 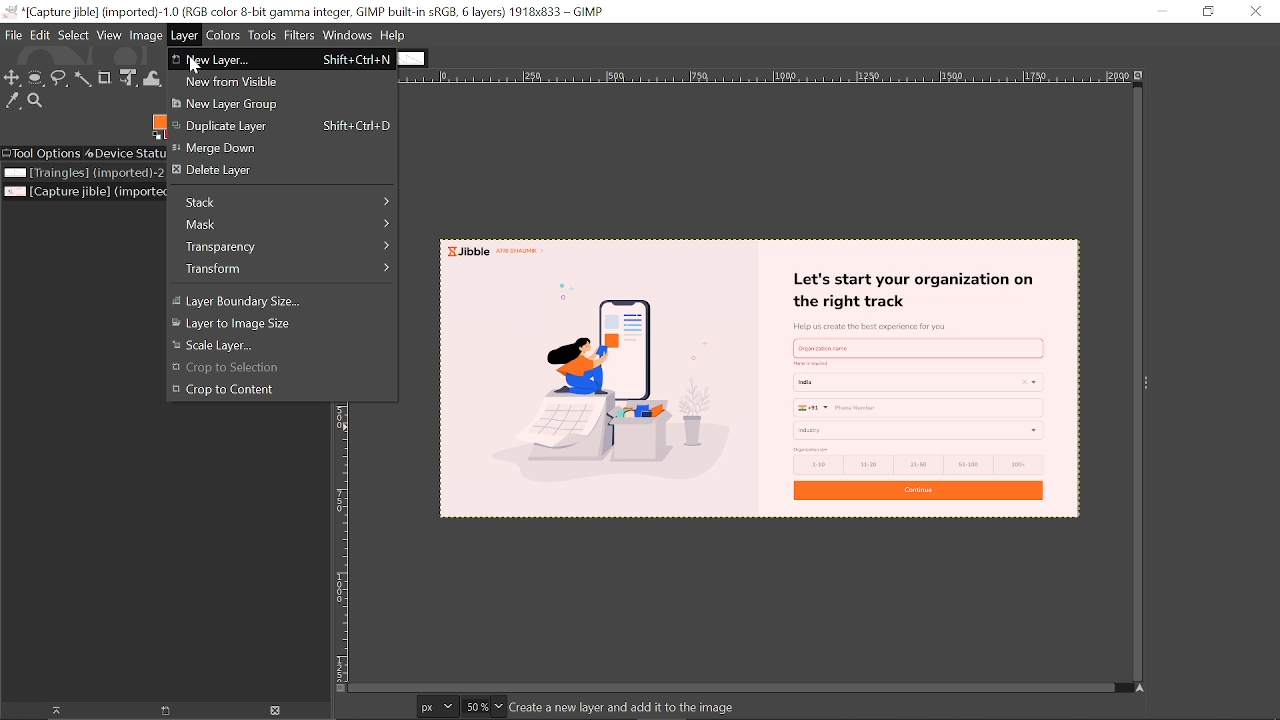 I want to click on Scale layer, so click(x=273, y=345).